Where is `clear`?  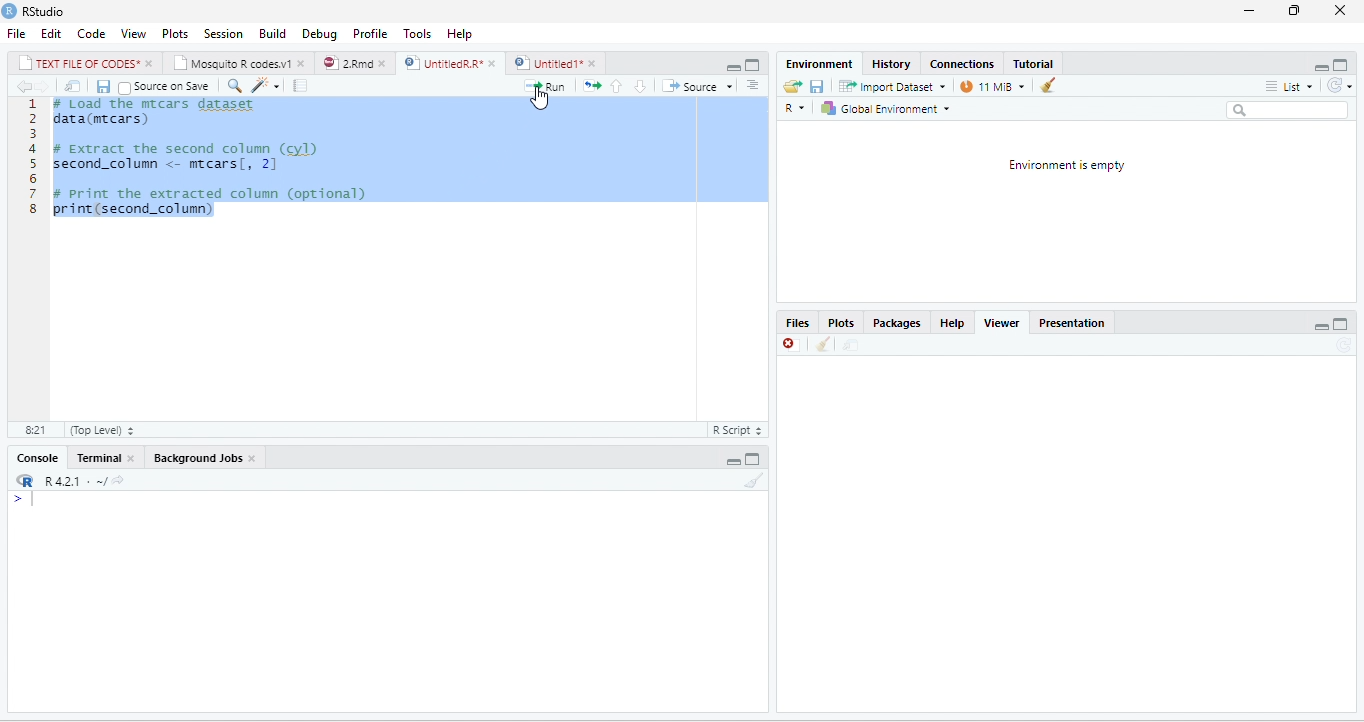
clear is located at coordinates (1047, 85).